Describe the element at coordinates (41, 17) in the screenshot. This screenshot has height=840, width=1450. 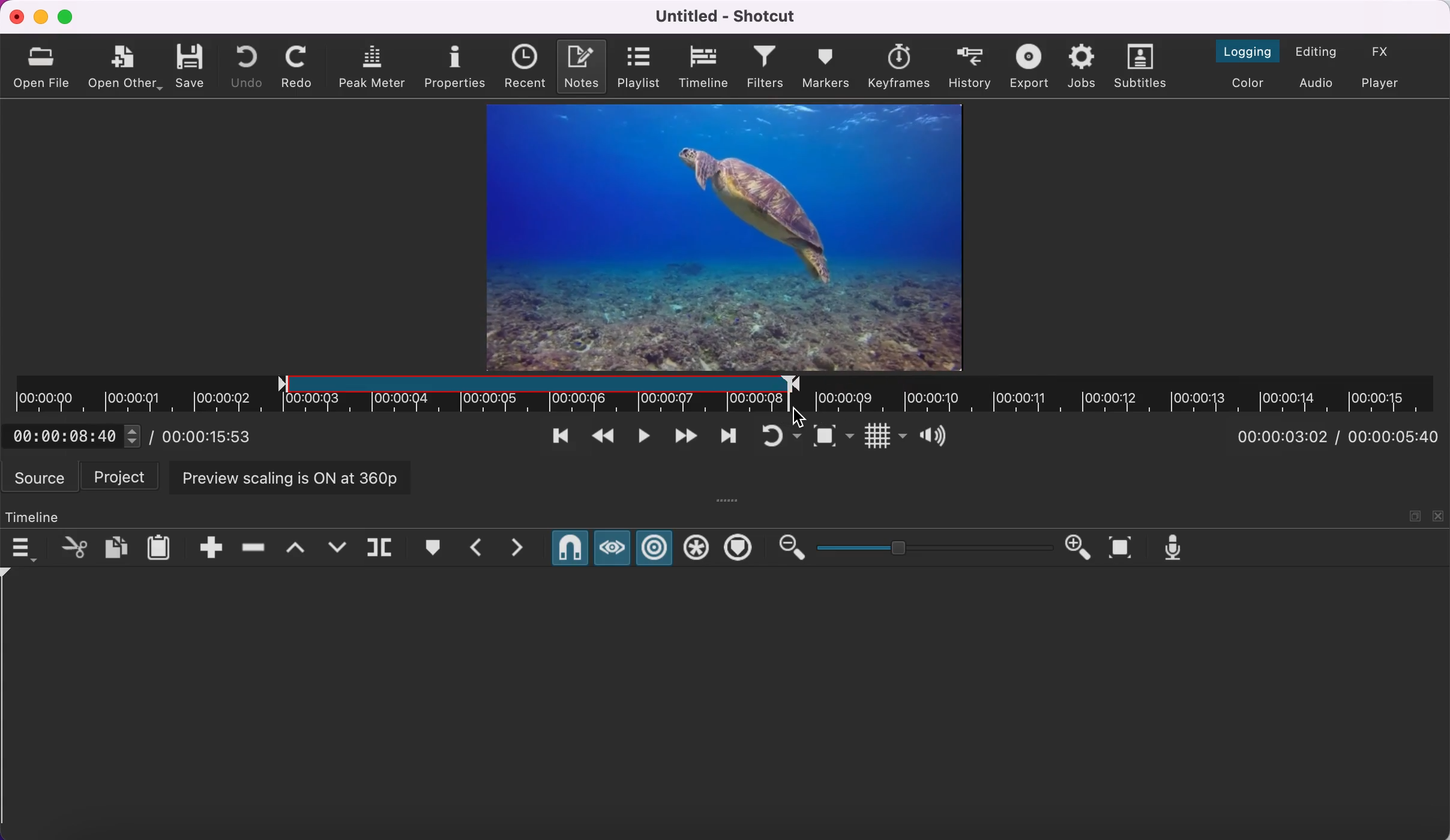
I see `minimize` at that location.